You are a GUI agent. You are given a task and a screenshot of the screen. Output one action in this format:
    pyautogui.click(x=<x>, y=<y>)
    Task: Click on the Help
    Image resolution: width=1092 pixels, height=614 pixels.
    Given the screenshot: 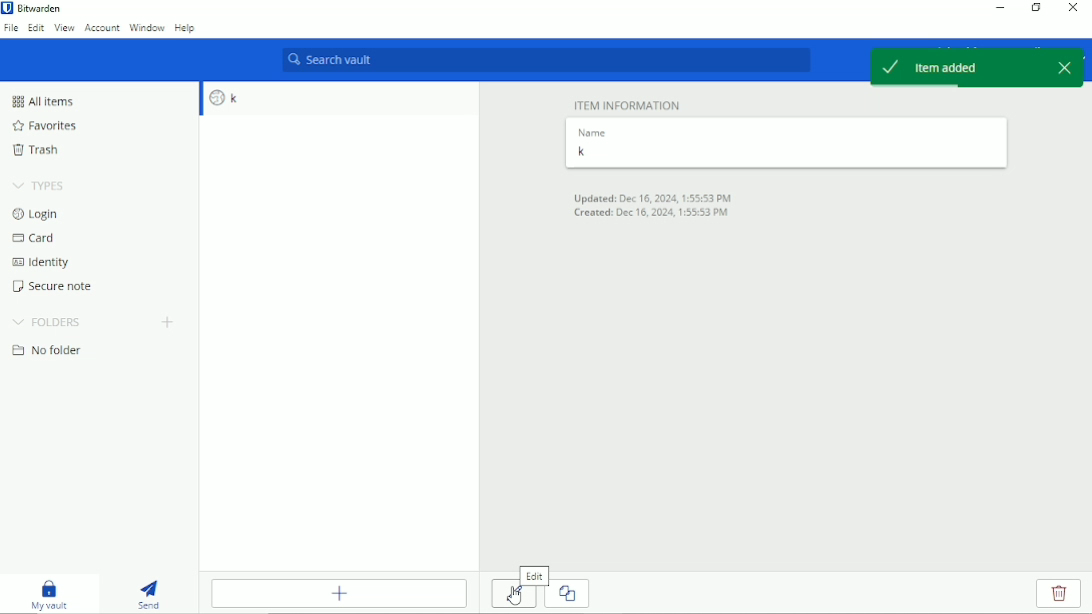 What is the action you would take?
    pyautogui.click(x=187, y=28)
    